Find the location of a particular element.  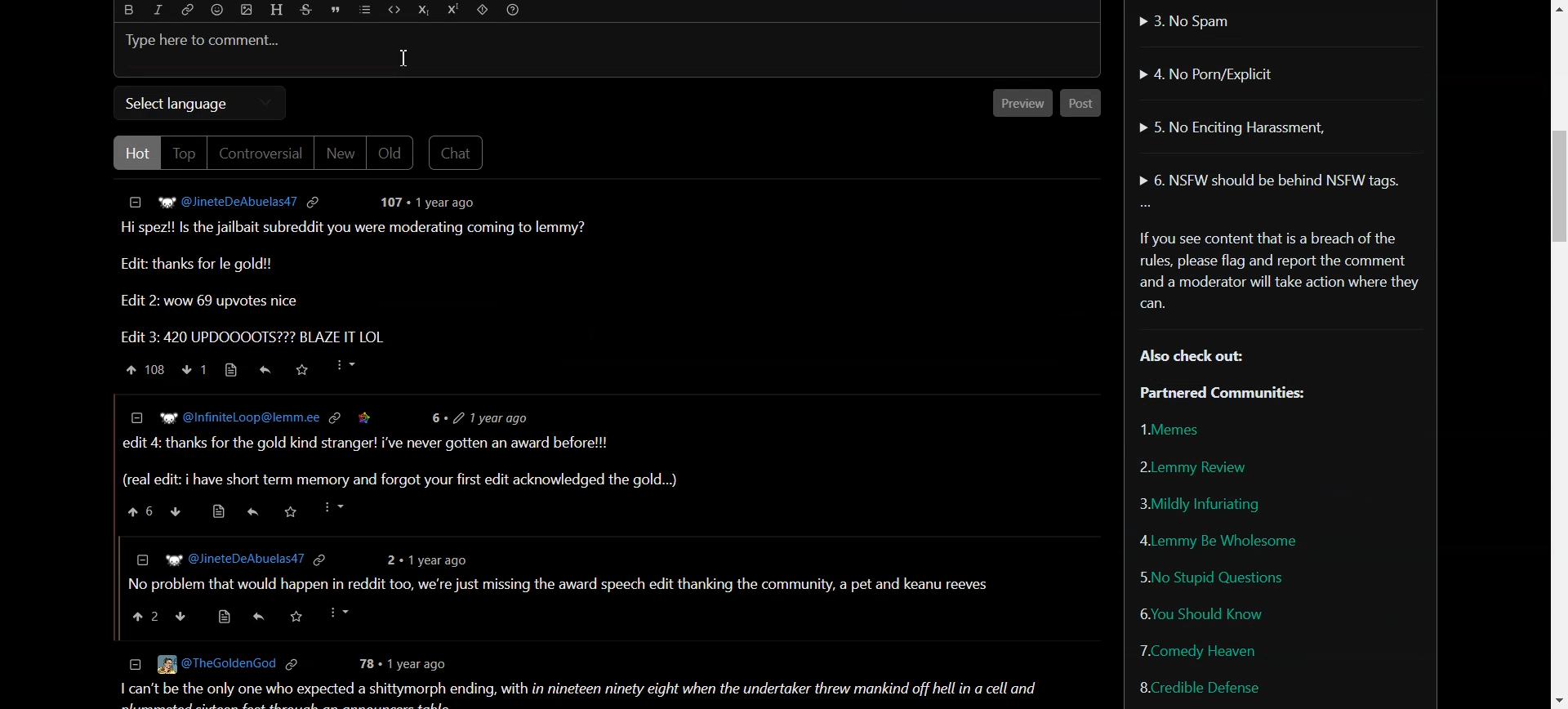

saved is located at coordinates (298, 616).